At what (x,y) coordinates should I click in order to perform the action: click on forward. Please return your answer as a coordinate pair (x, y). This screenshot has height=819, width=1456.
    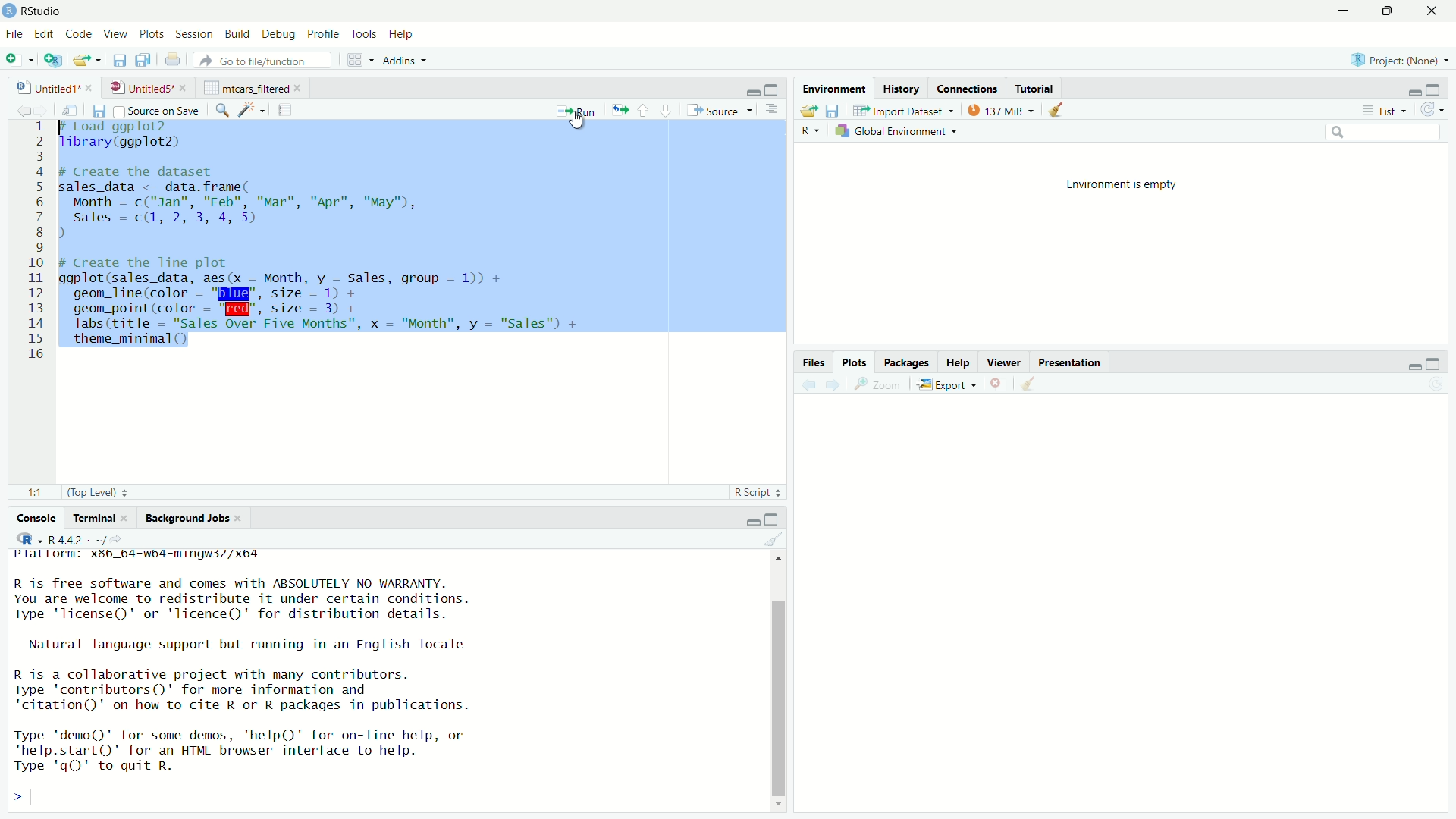
    Looking at the image, I should click on (48, 111).